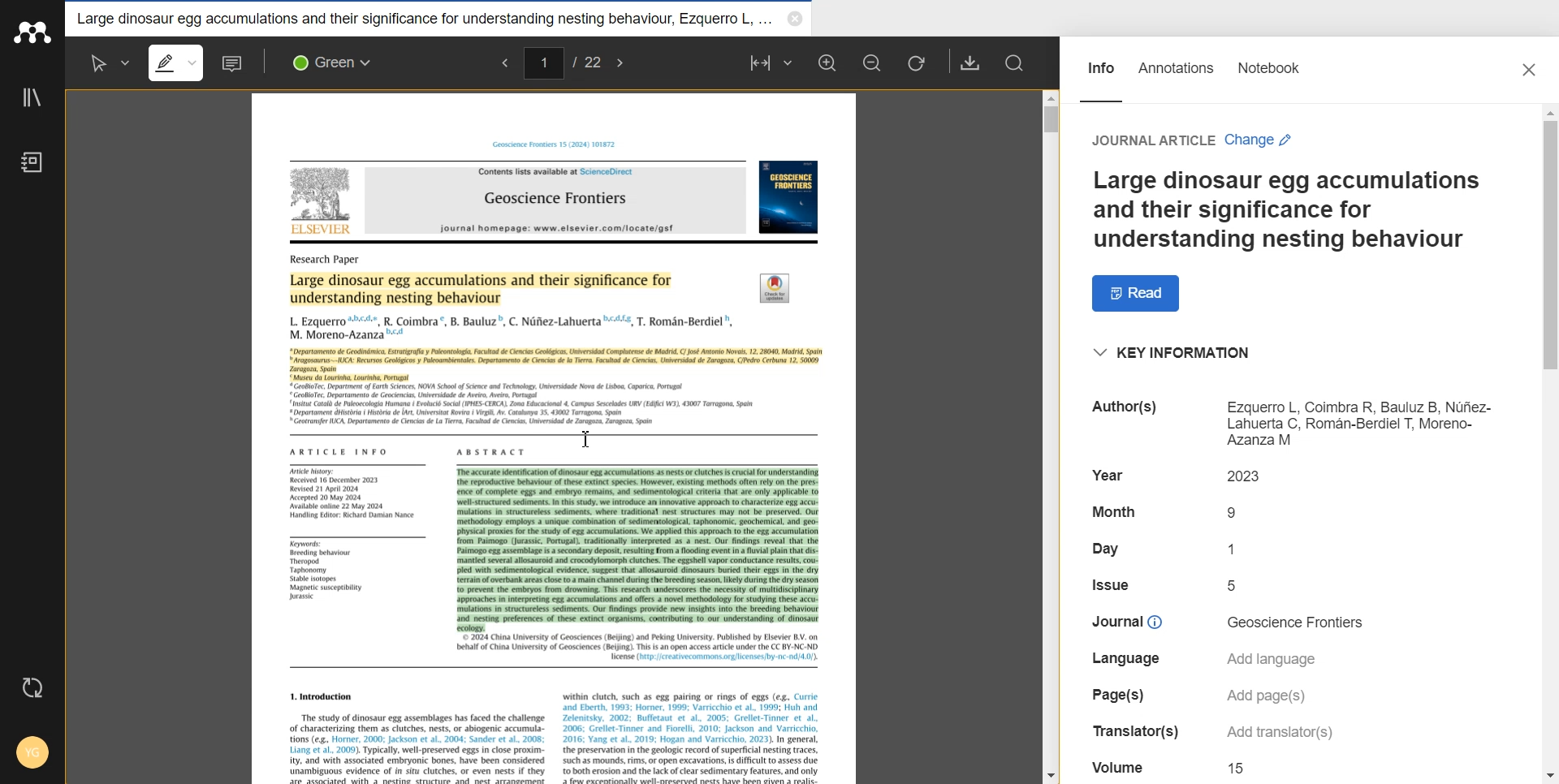 The height and width of the screenshot is (784, 1559). Describe the element at coordinates (30, 754) in the screenshot. I see `Account` at that location.